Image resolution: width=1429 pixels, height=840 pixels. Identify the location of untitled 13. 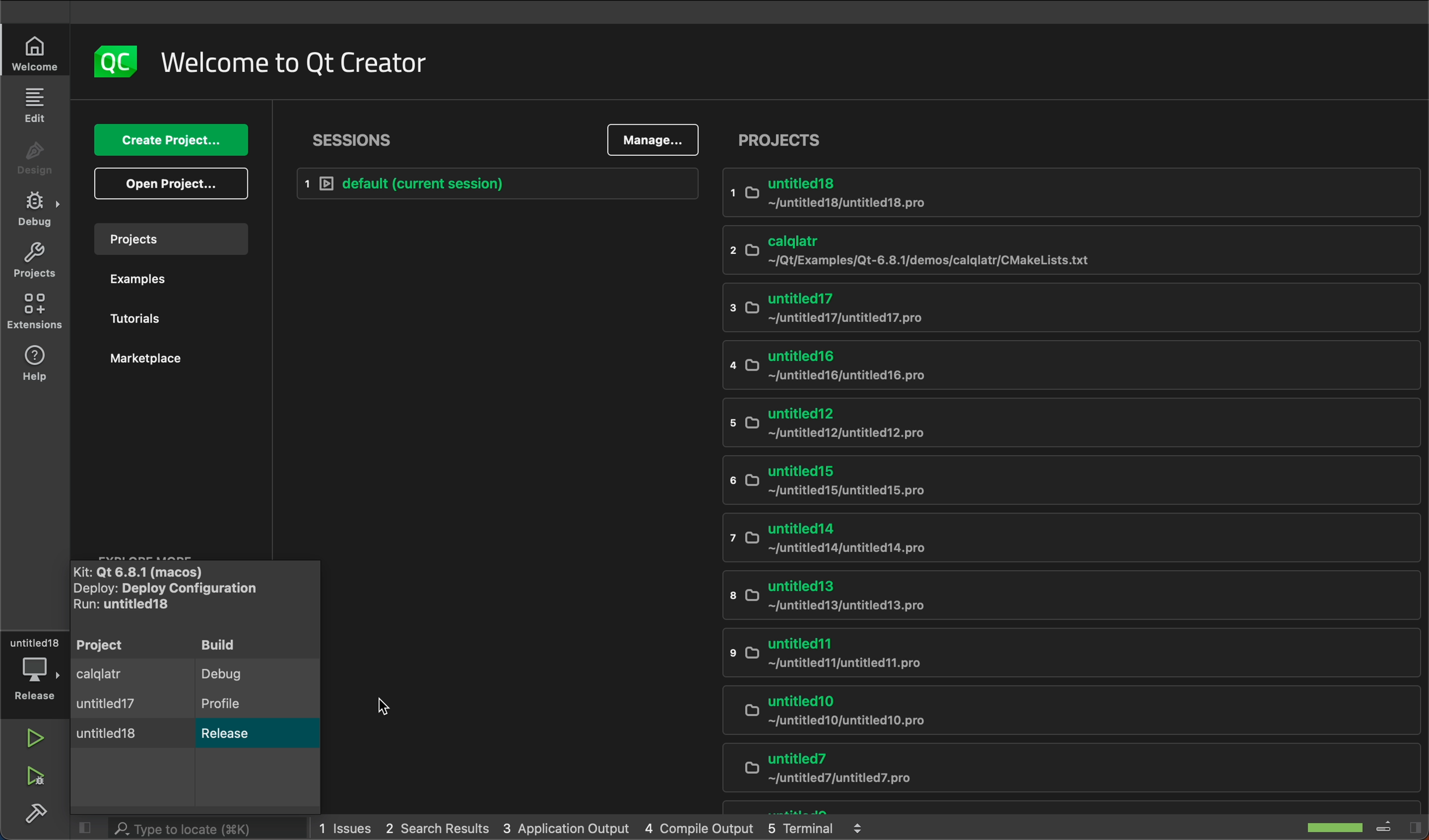
(1024, 596).